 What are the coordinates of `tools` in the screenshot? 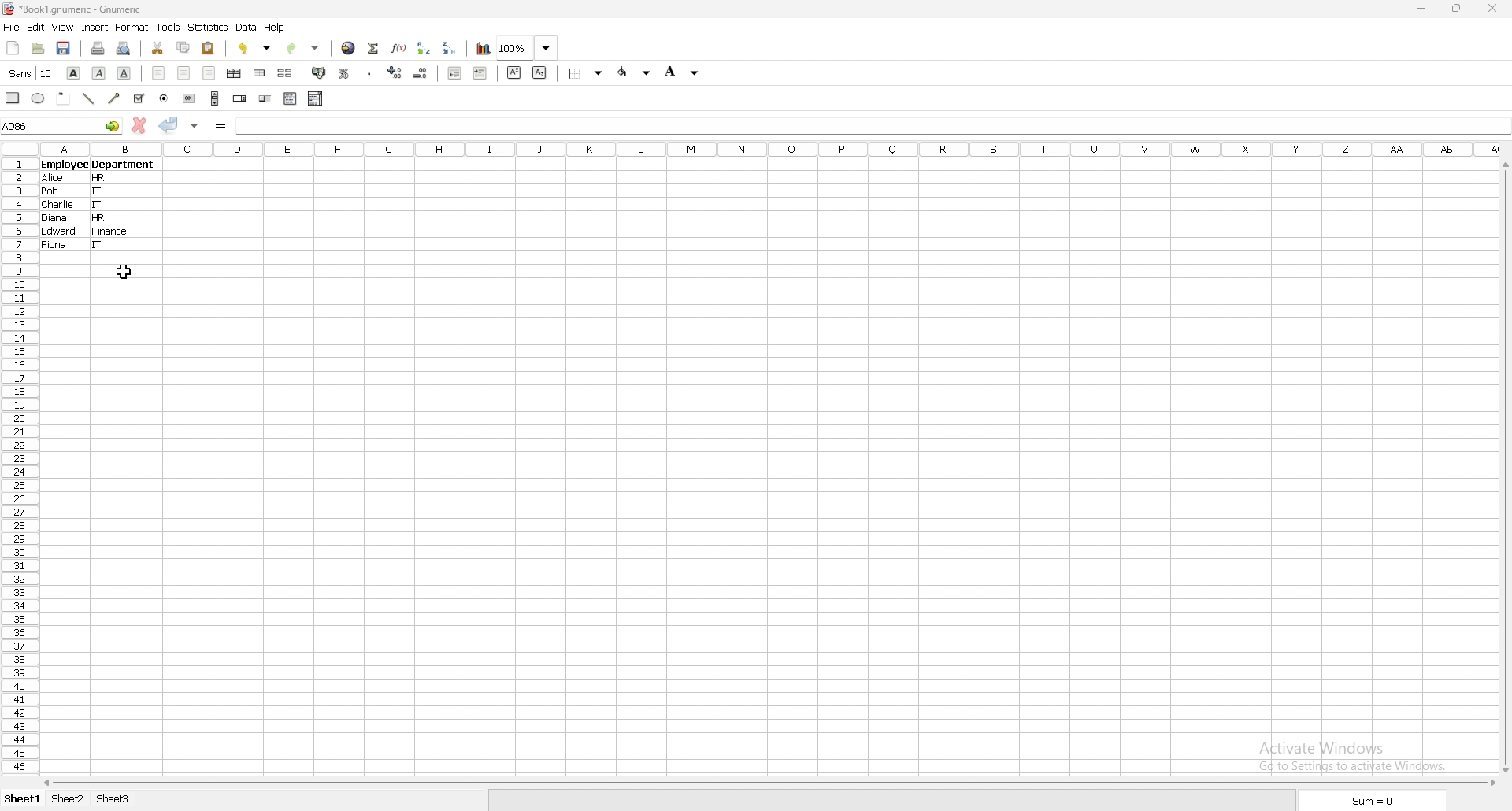 It's located at (169, 27).